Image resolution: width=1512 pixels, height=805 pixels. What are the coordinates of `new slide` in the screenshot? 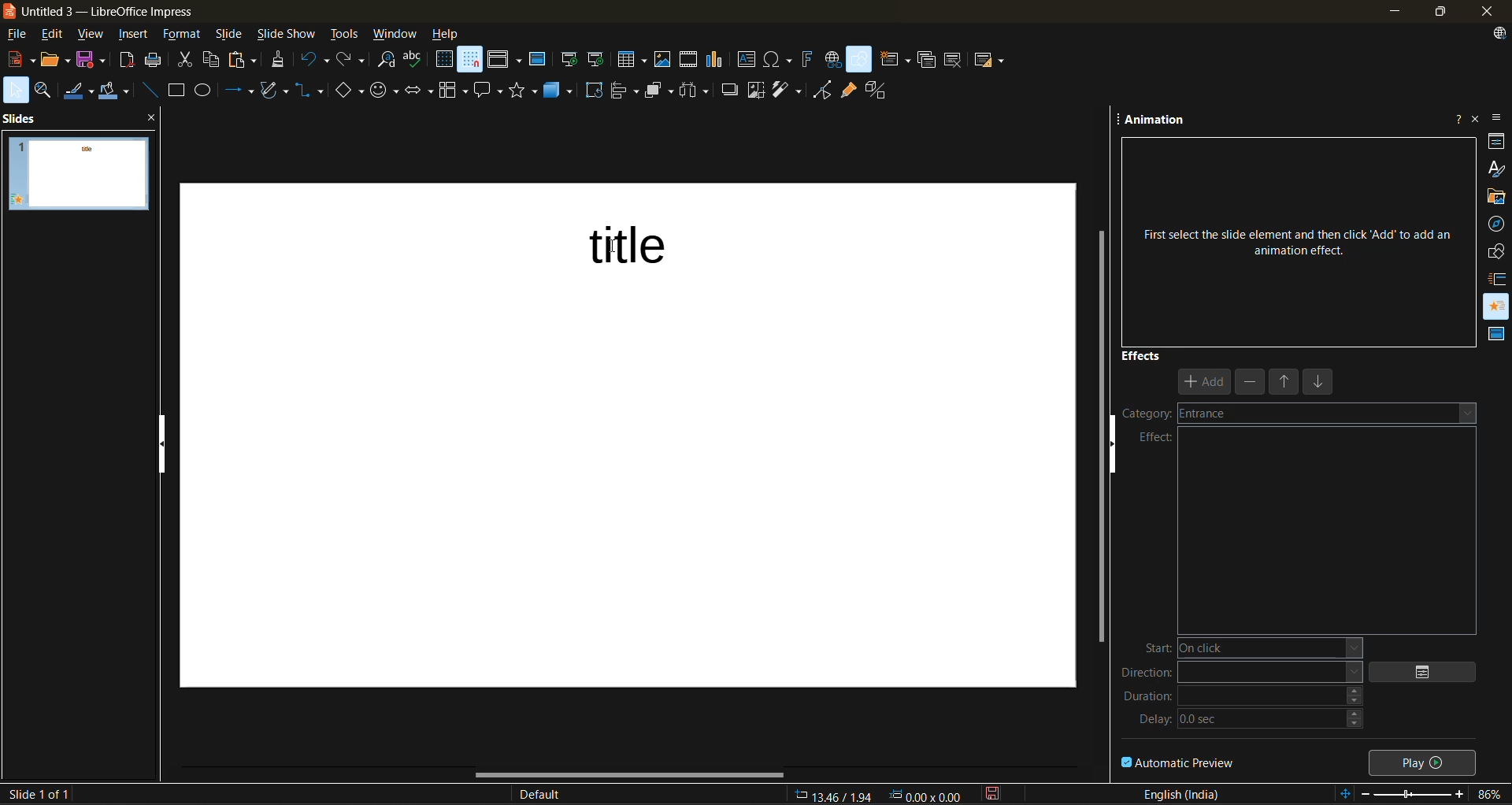 It's located at (894, 61).